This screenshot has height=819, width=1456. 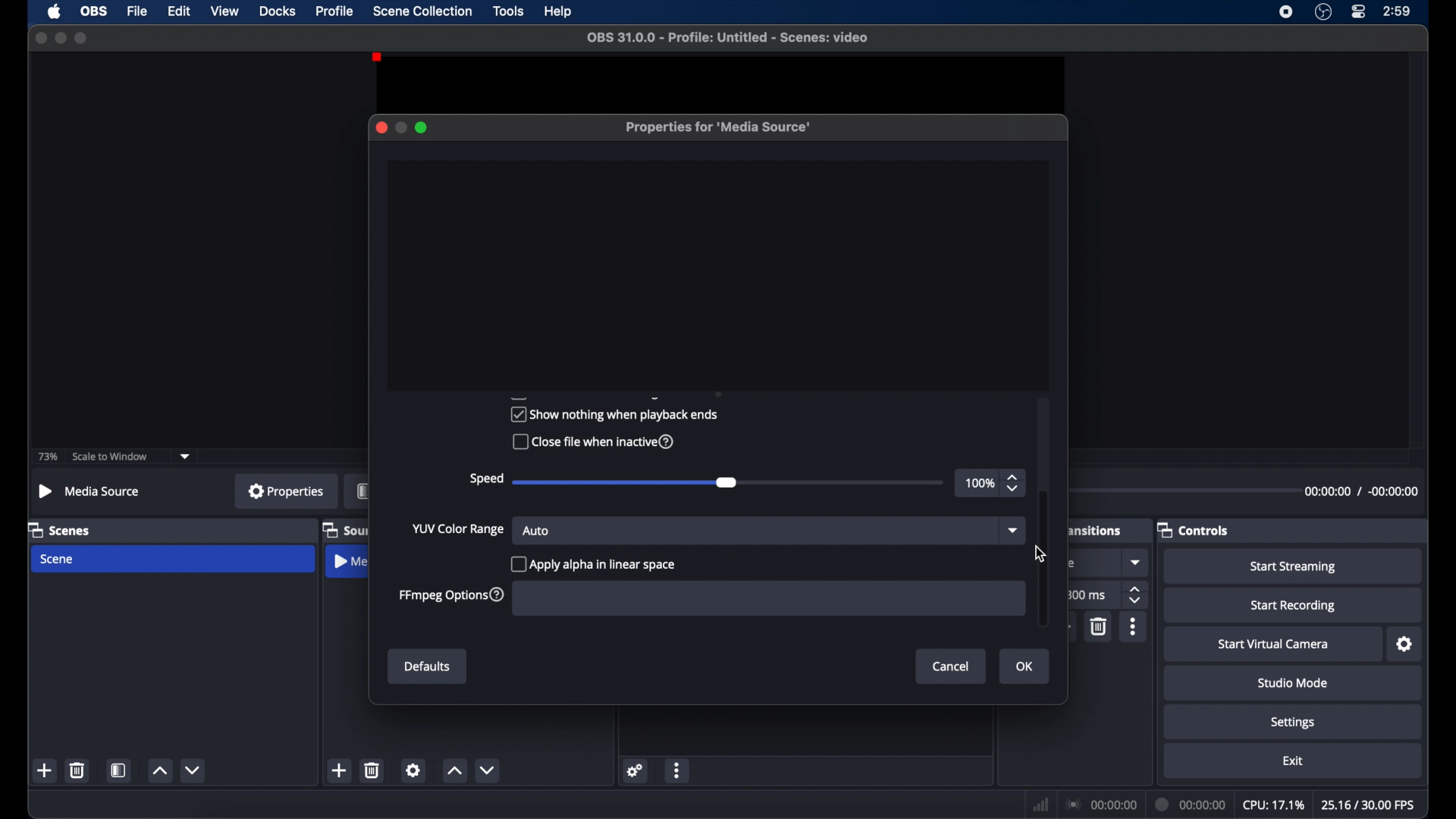 What do you see at coordinates (1013, 483) in the screenshot?
I see `stepper buttons` at bounding box center [1013, 483].